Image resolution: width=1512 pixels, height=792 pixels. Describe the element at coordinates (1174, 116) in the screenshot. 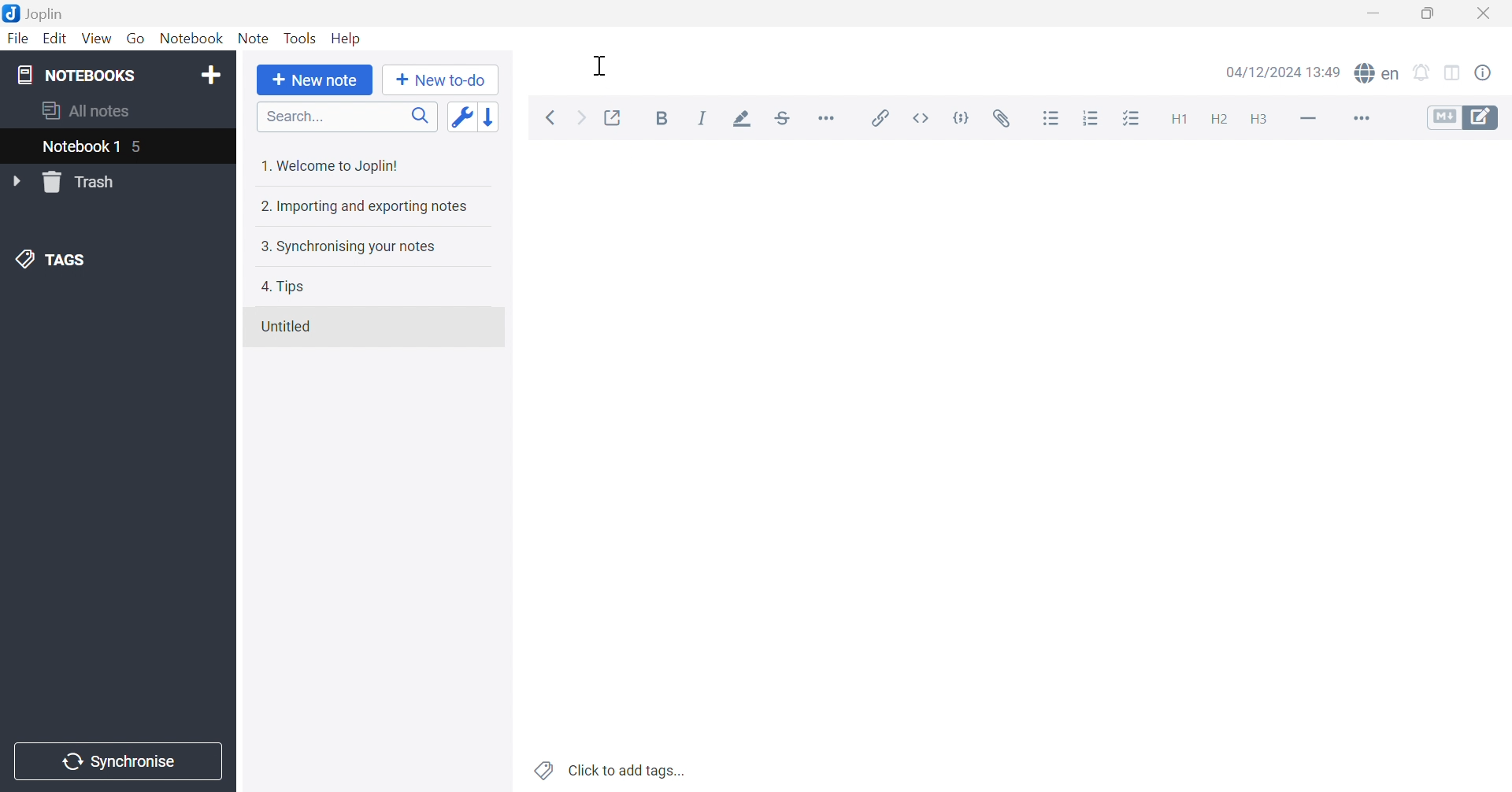

I see `Heading 1` at that location.